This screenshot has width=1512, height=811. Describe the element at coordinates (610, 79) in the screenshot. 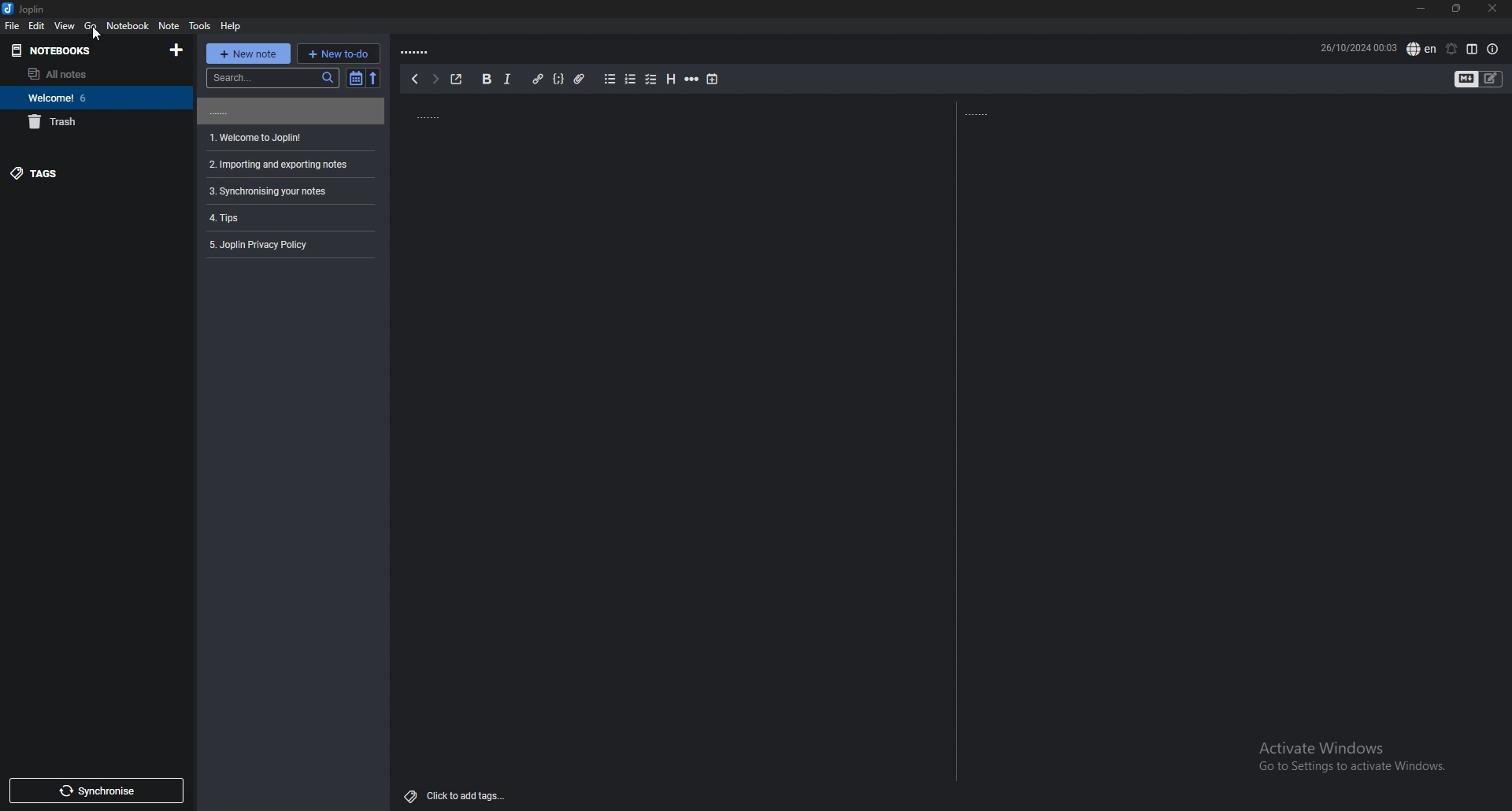

I see `bullet list` at that location.